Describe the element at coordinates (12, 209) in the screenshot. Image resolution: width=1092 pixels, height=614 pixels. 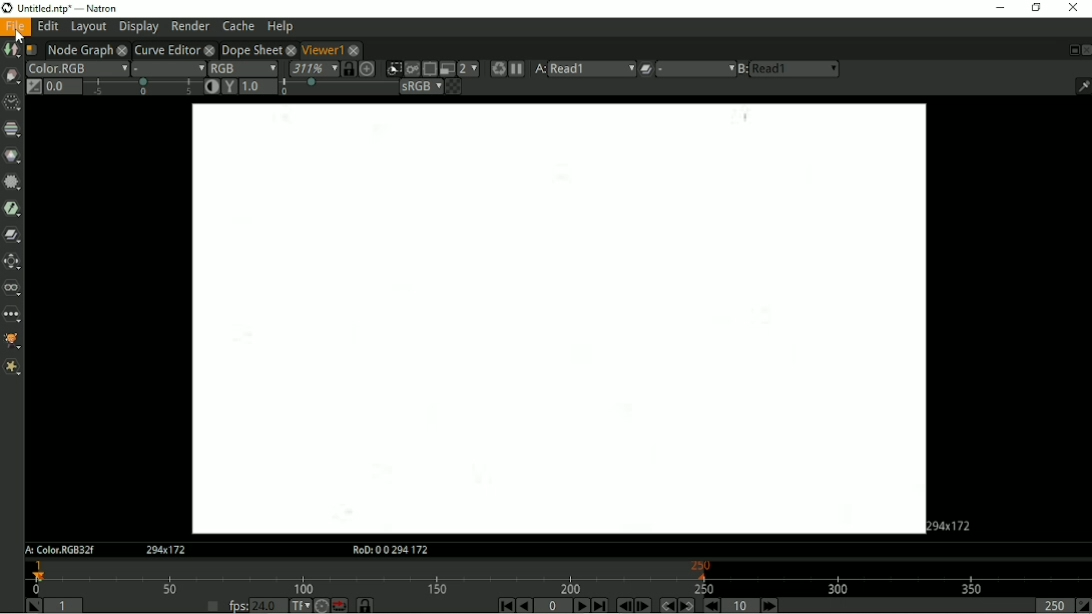
I see `Keyer` at that location.